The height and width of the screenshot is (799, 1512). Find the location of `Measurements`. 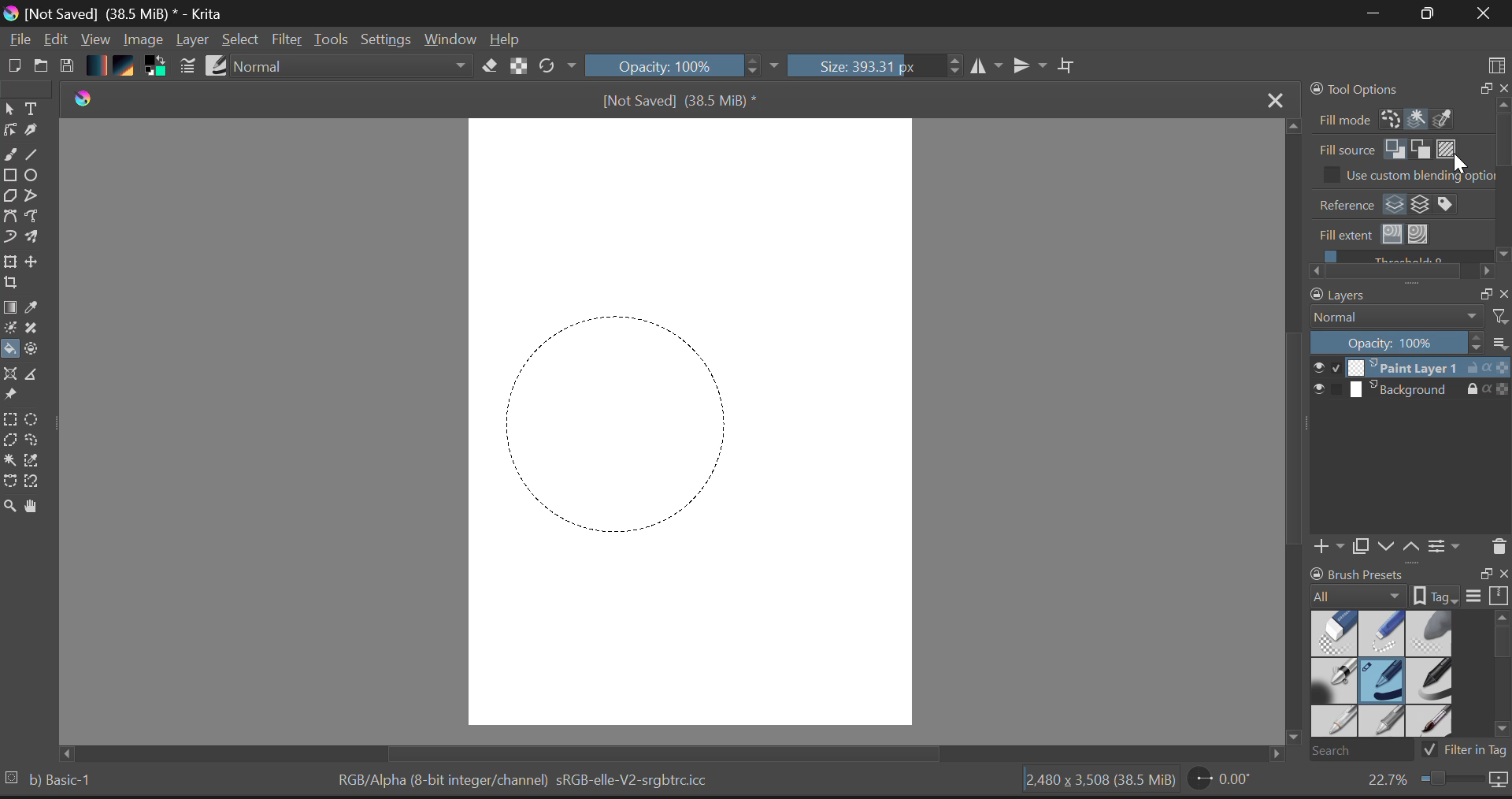

Measurements is located at coordinates (38, 375).